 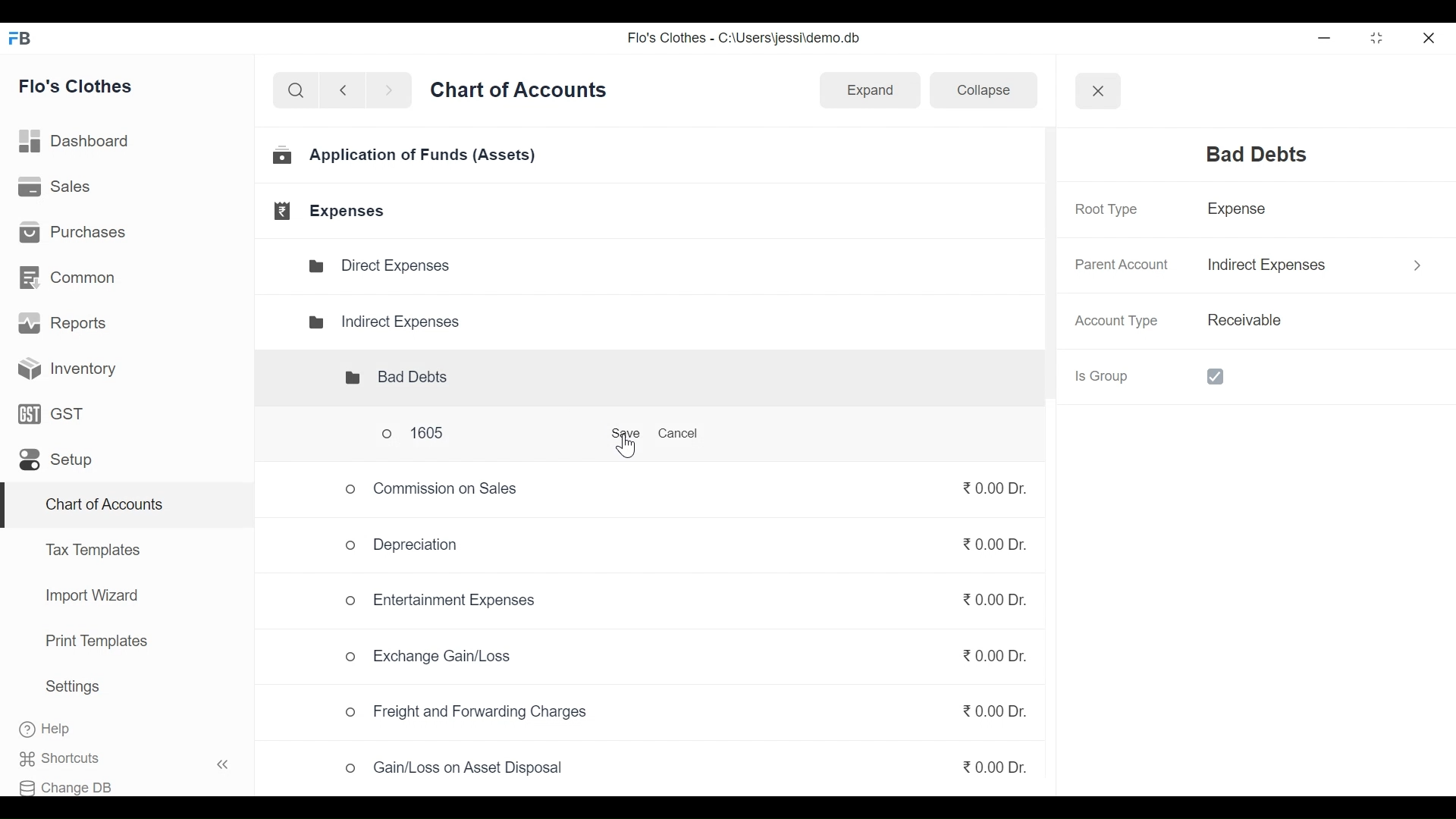 I want to click on 1605, so click(x=445, y=436).